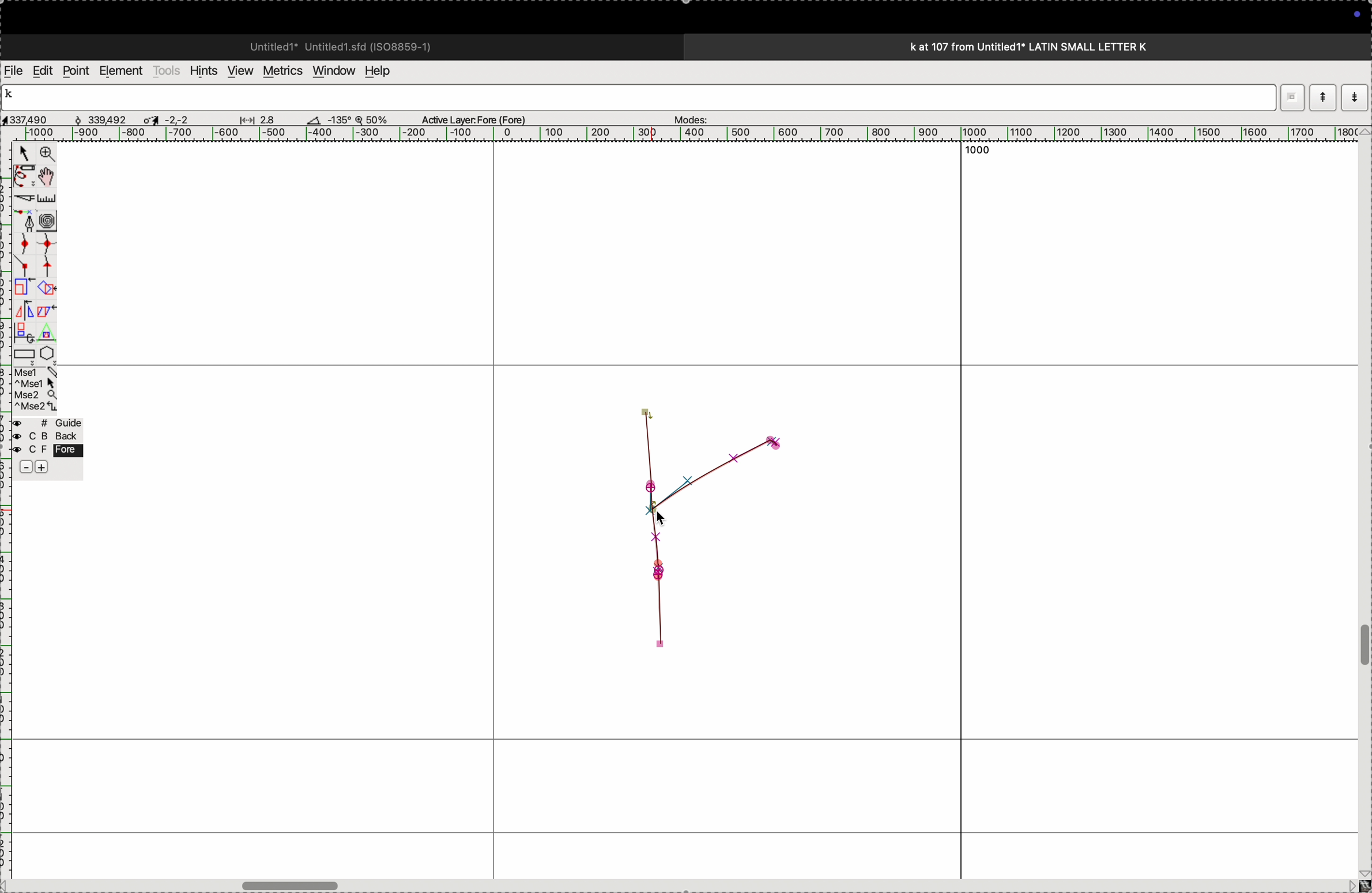  Describe the element at coordinates (339, 117) in the screenshot. I see `-135` at that location.